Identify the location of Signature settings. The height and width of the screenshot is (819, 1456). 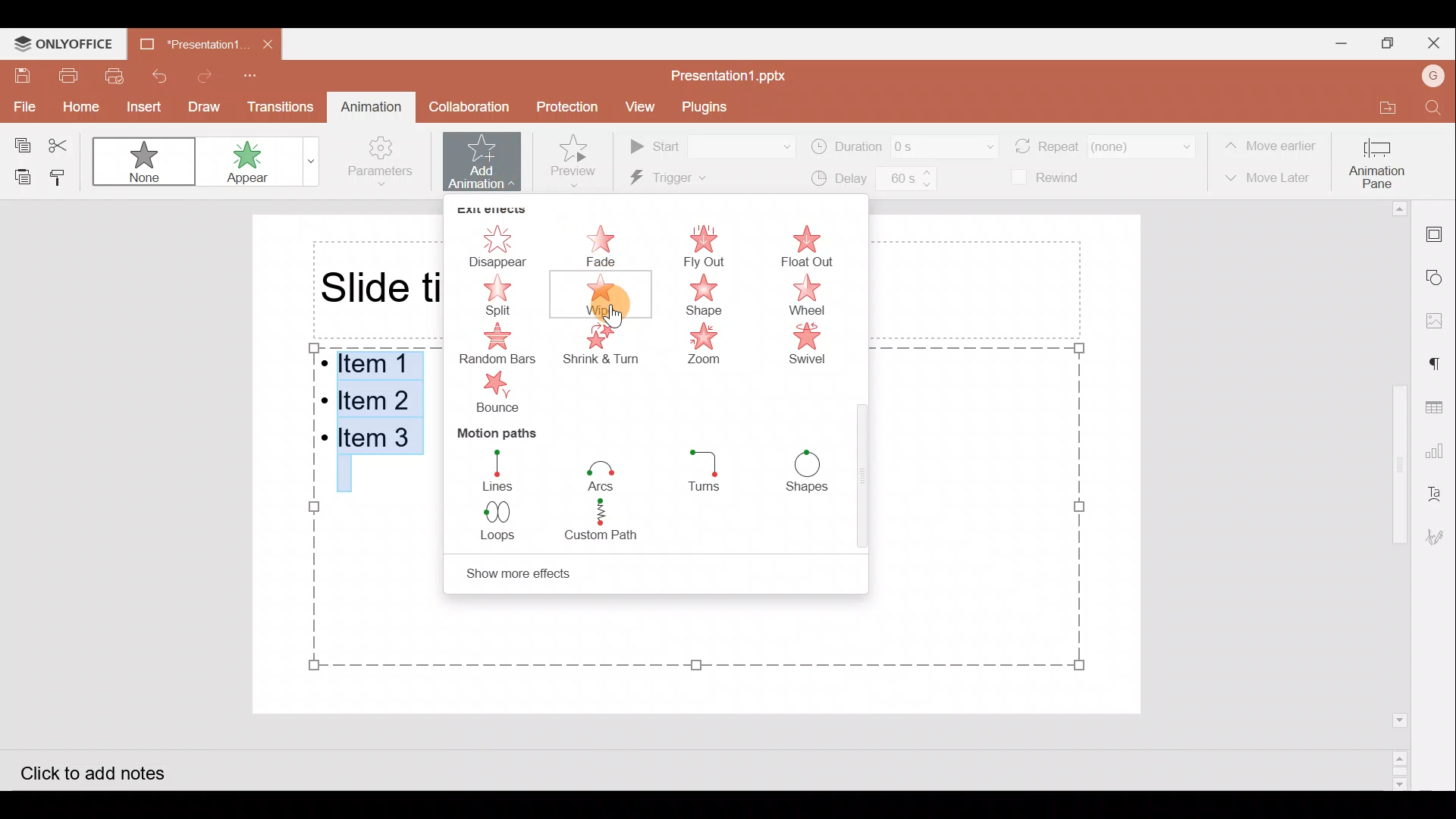
(1441, 541).